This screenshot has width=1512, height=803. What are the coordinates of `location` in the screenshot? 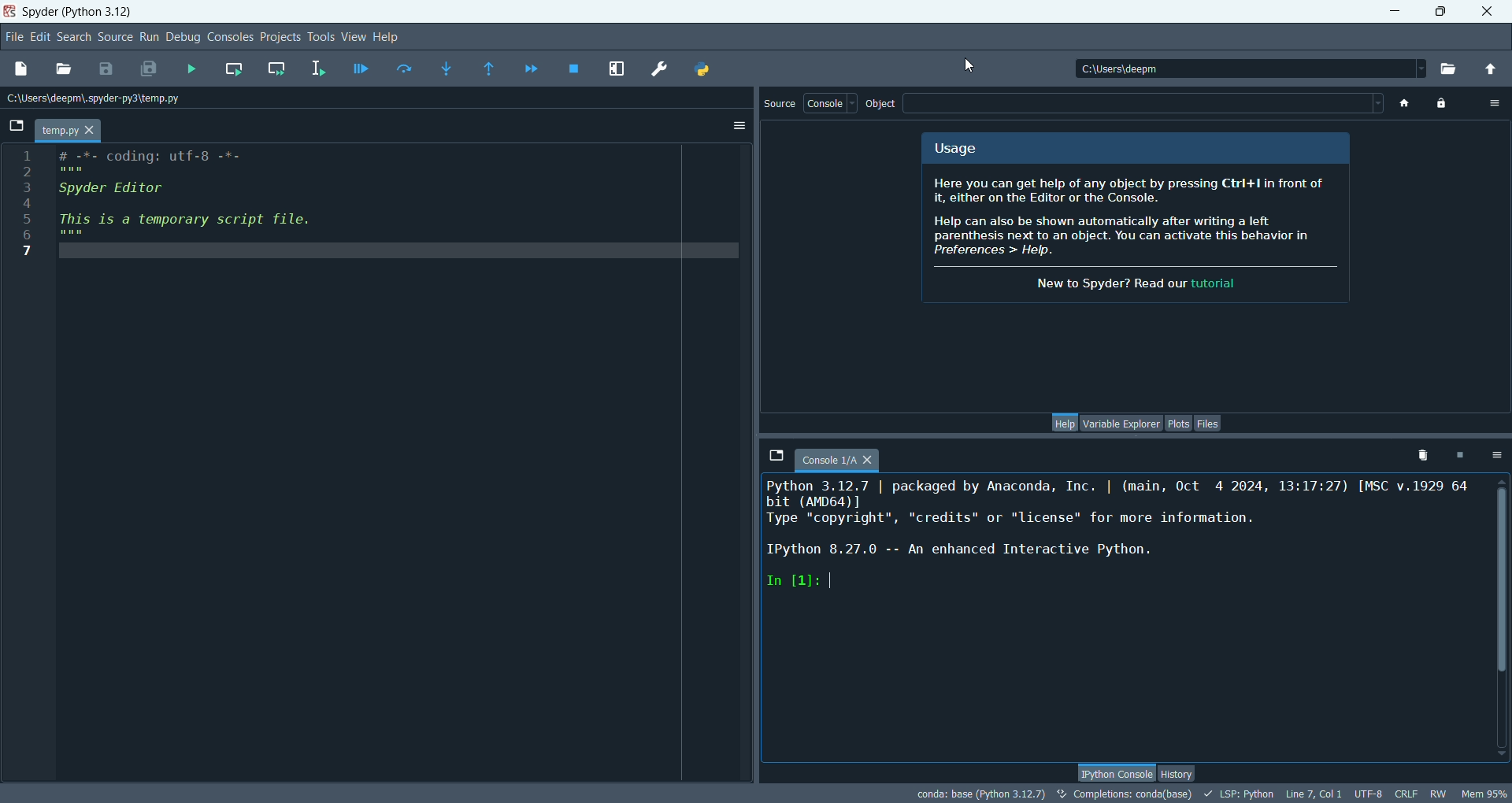 It's located at (1251, 70).